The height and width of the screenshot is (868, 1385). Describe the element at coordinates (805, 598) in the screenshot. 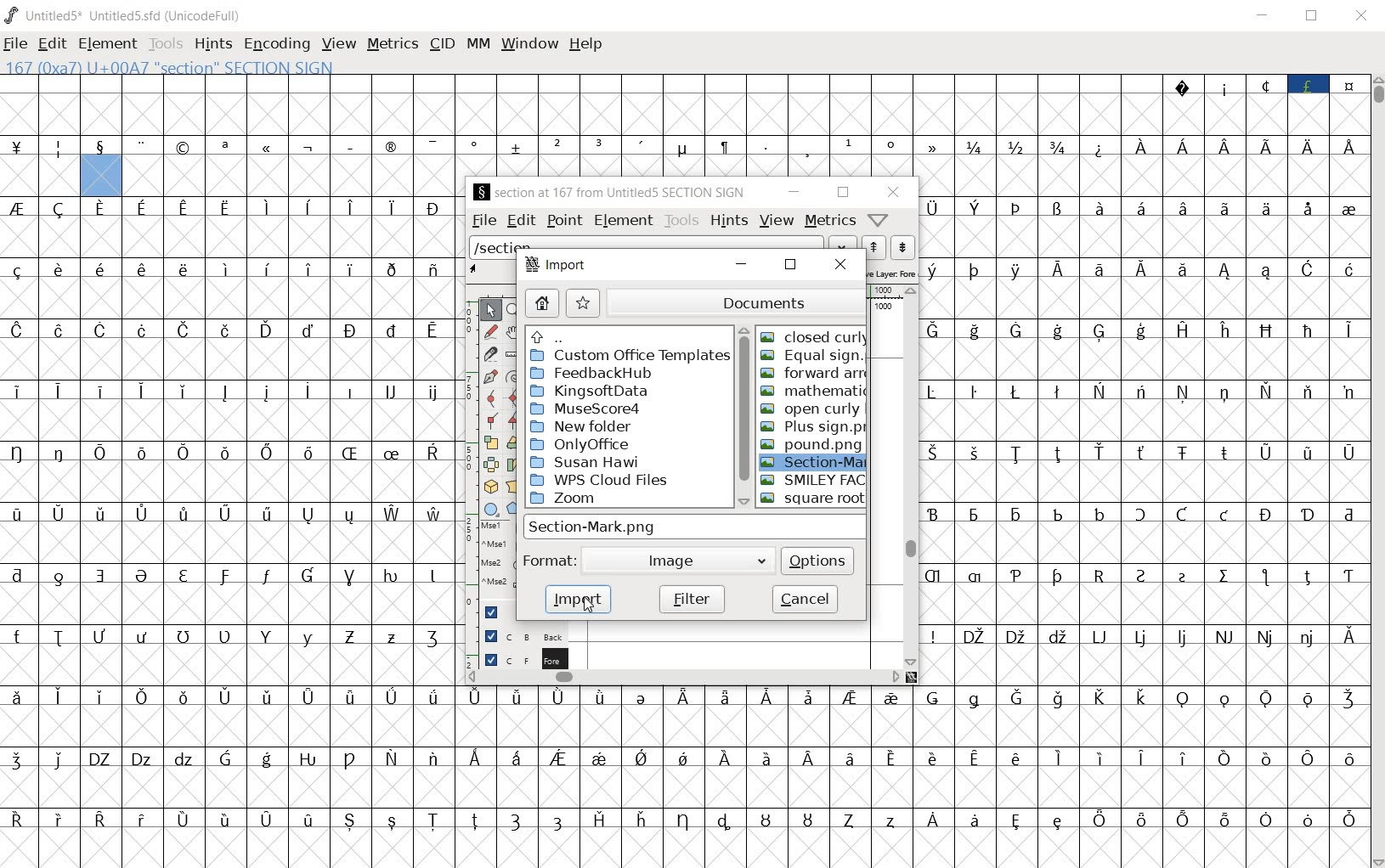

I see `cancel` at that location.